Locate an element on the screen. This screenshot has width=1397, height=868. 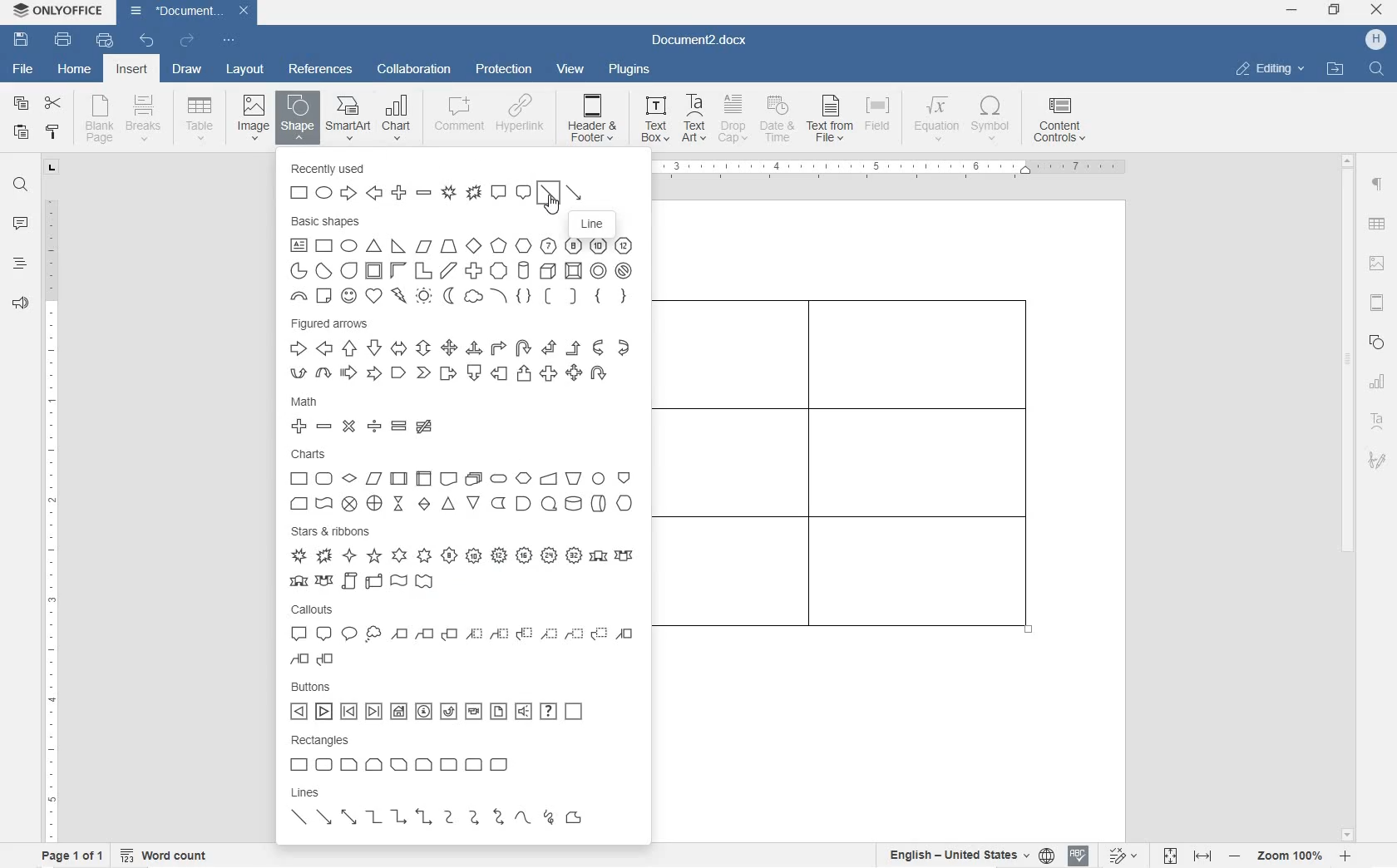
DROP CAP is located at coordinates (734, 121).